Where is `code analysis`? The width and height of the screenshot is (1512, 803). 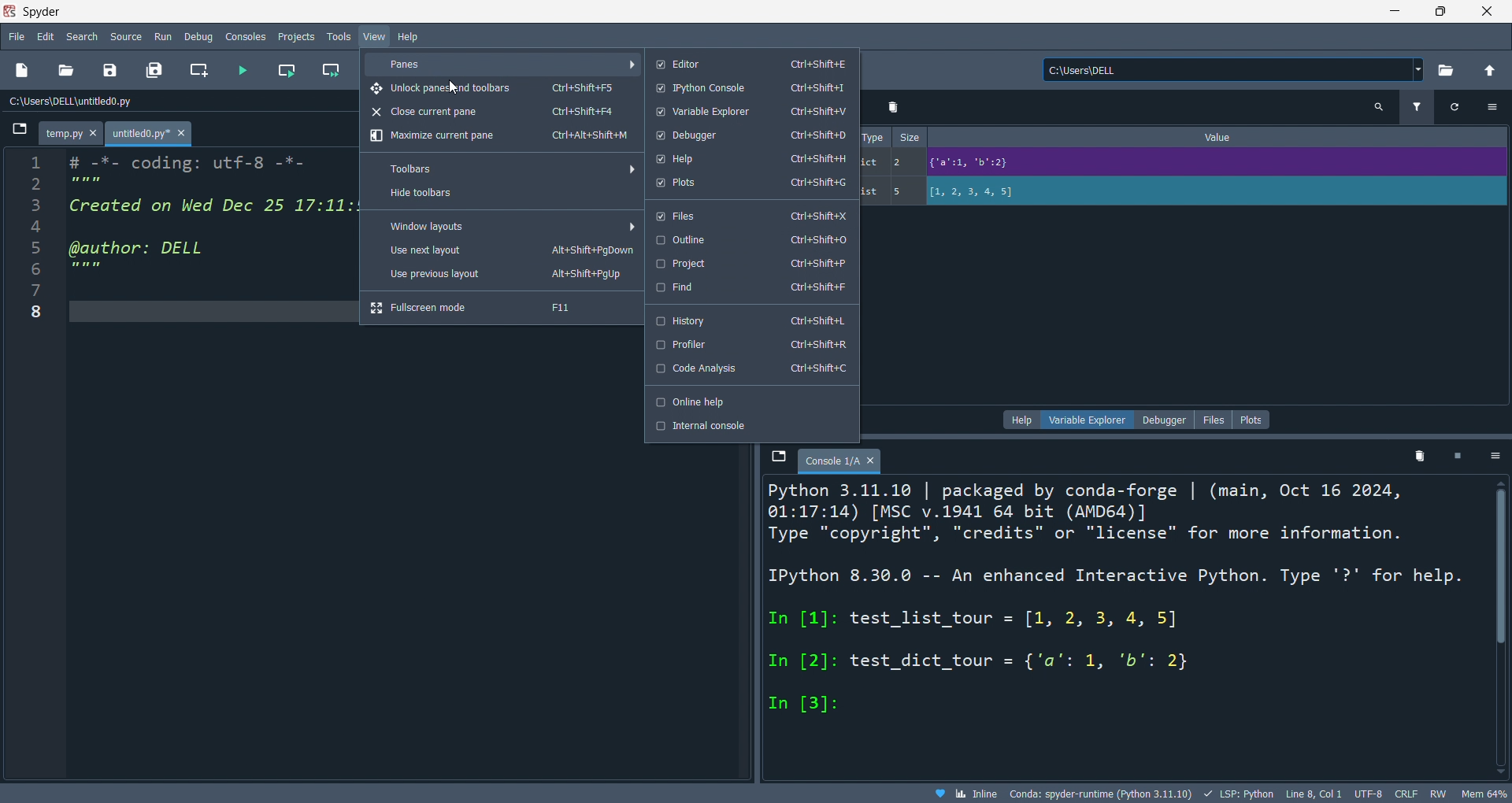 code analysis is located at coordinates (751, 370).